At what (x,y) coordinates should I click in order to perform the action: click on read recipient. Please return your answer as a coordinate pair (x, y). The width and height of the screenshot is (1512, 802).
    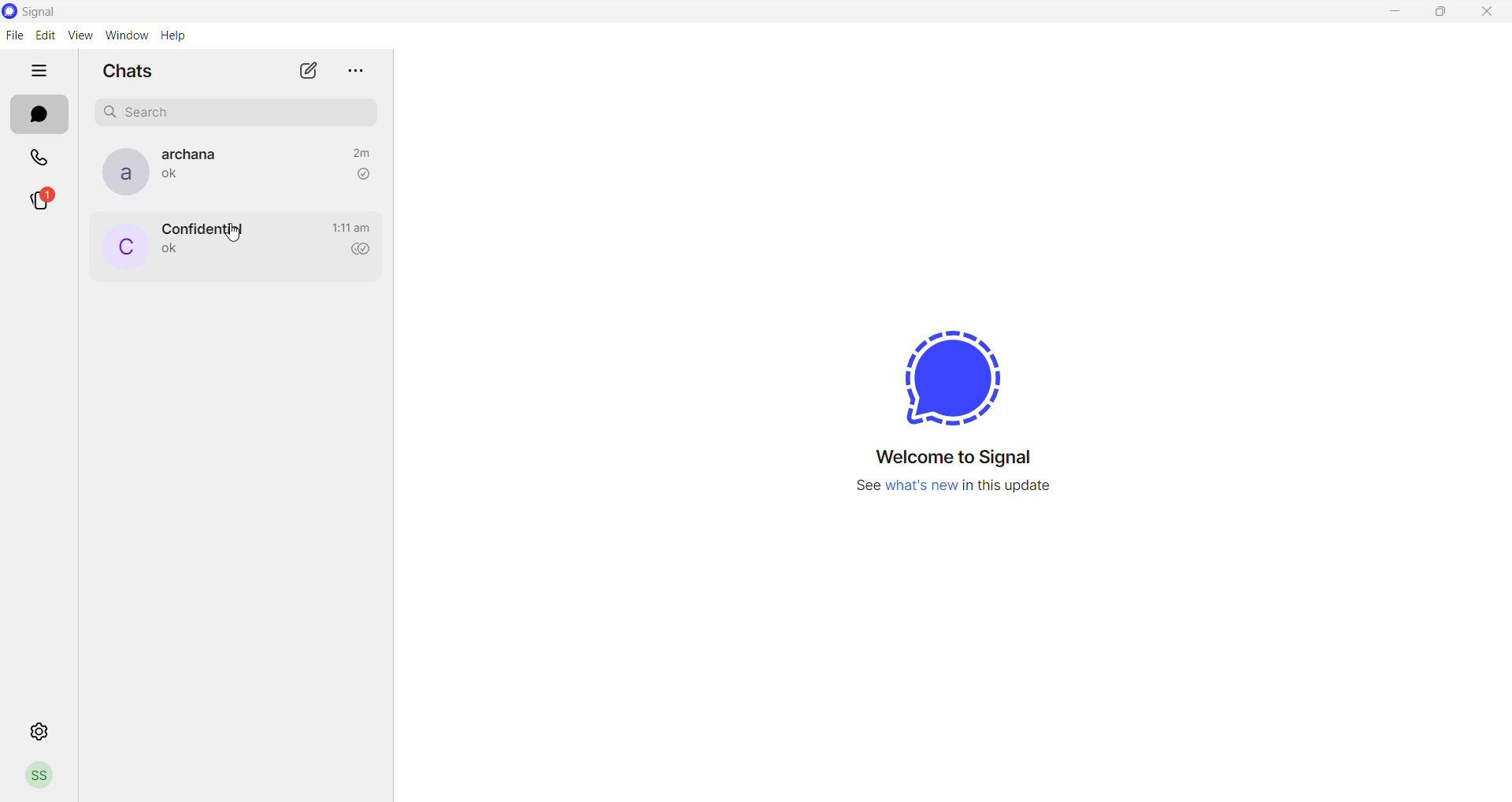
    Looking at the image, I should click on (363, 174).